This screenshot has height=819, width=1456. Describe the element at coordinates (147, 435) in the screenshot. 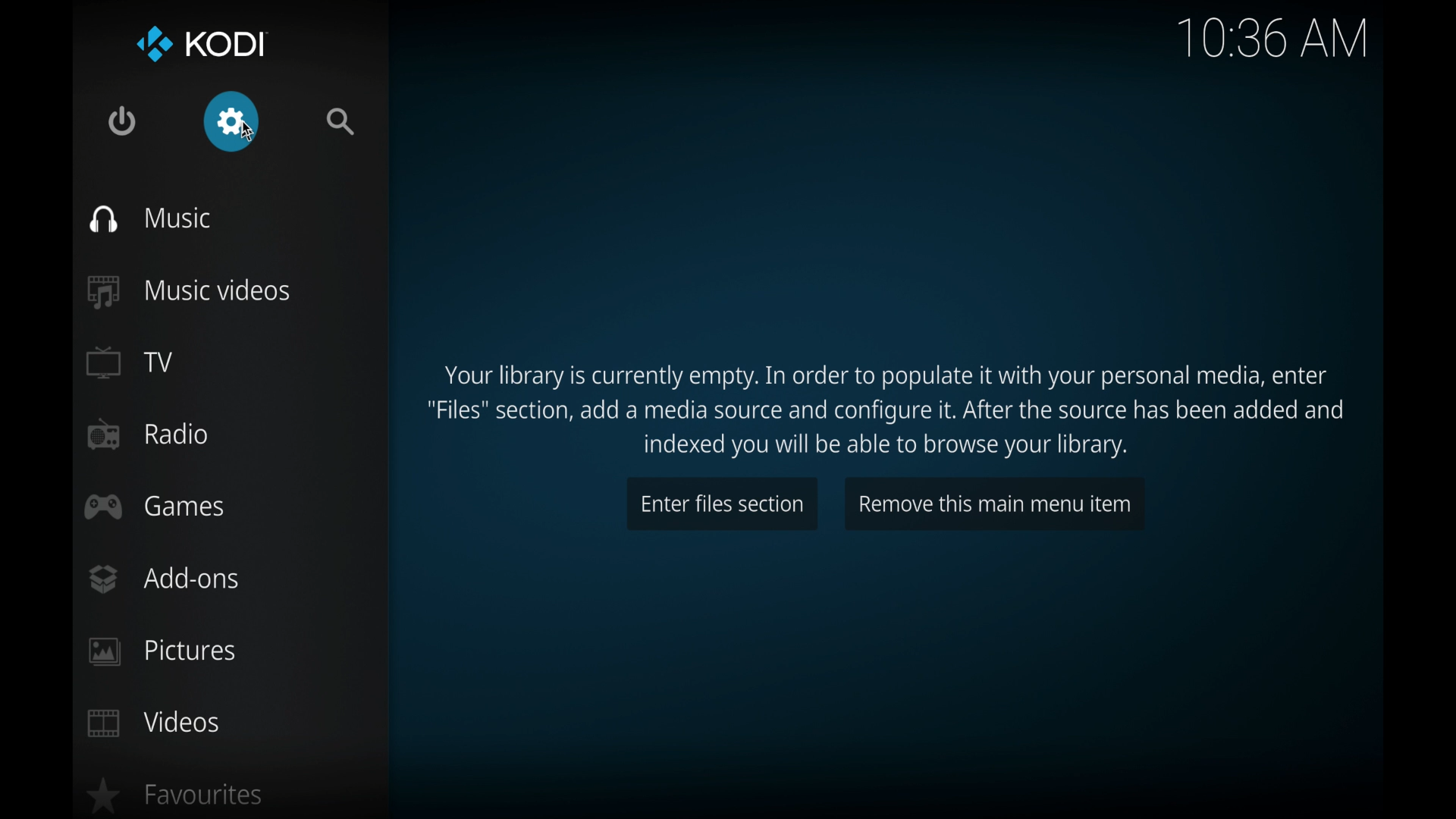

I see `radio` at that location.